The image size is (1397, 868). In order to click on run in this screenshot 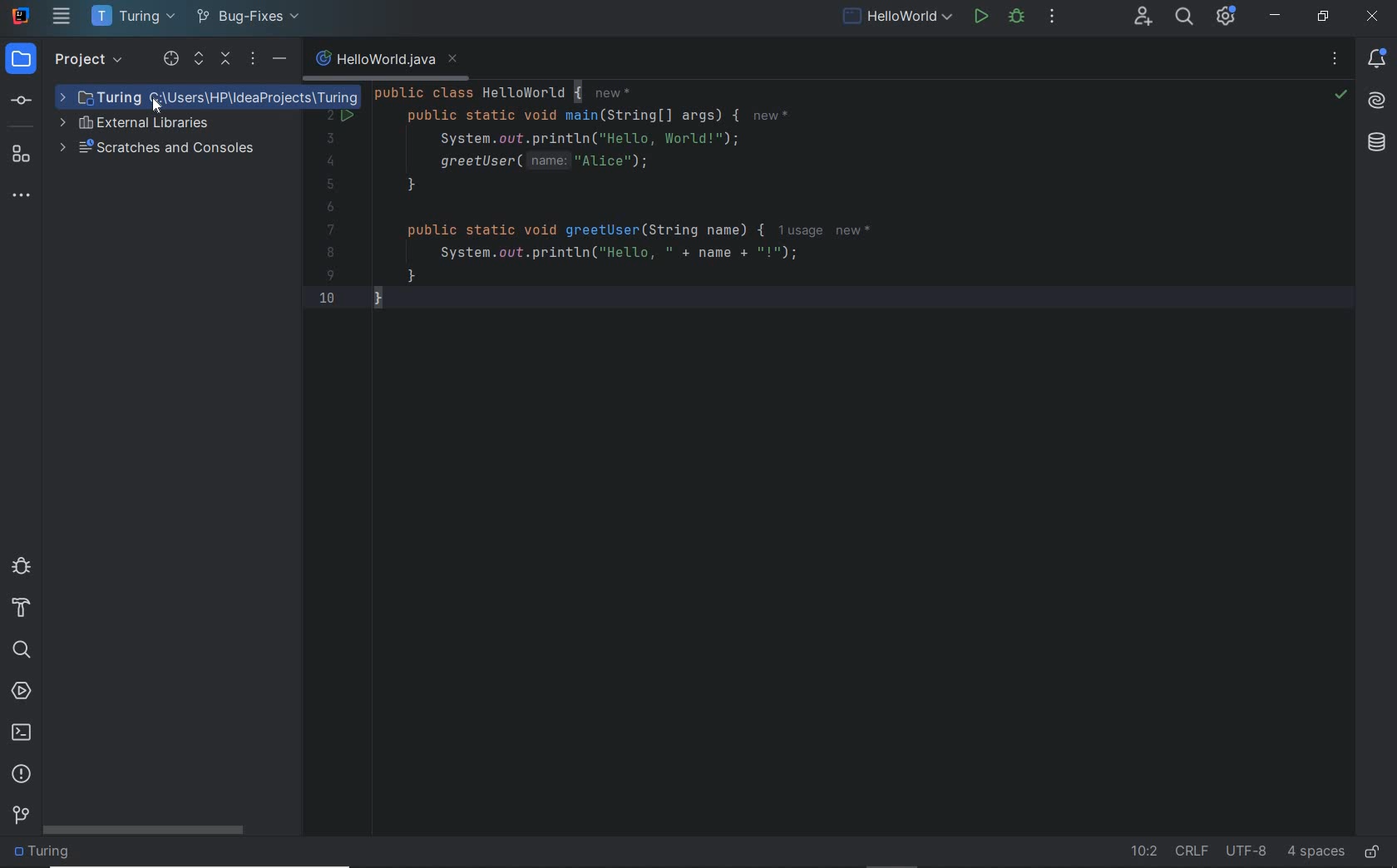, I will do `click(982, 15)`.